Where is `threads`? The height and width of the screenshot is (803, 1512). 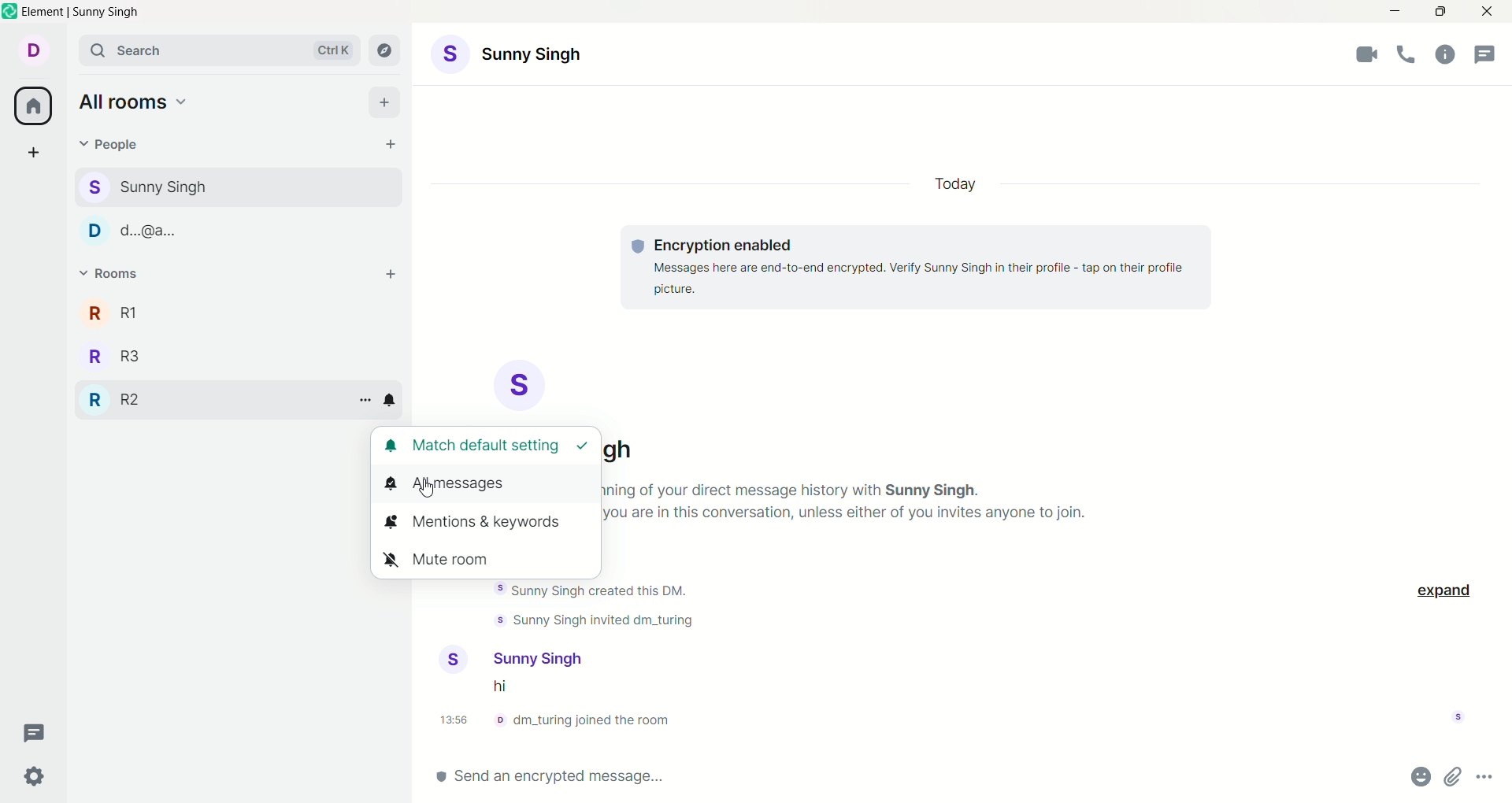 threads is located at coordinates (41, 730).